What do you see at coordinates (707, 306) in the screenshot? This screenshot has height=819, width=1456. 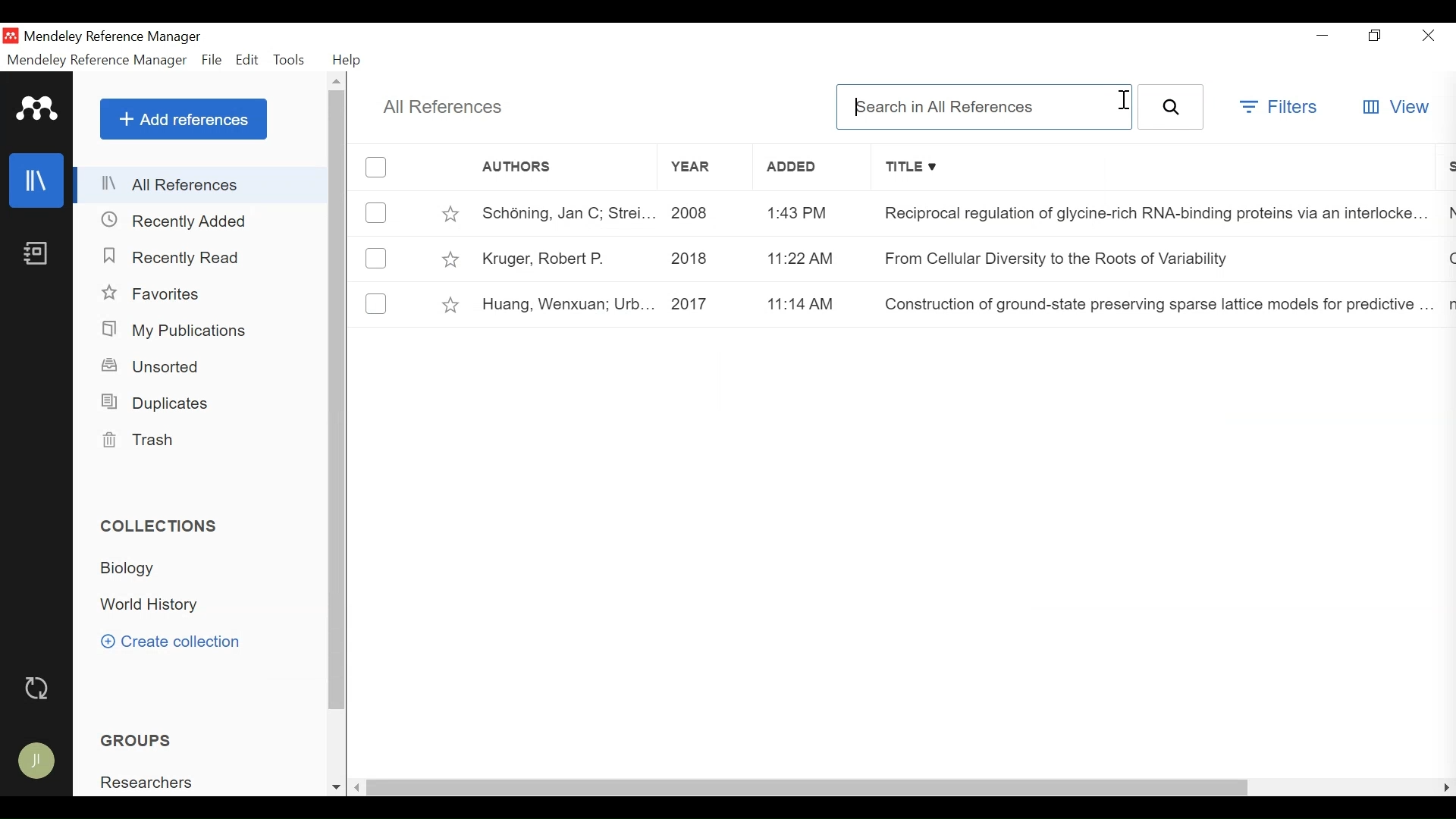 I see `2017` at bounding box center [707, 306].